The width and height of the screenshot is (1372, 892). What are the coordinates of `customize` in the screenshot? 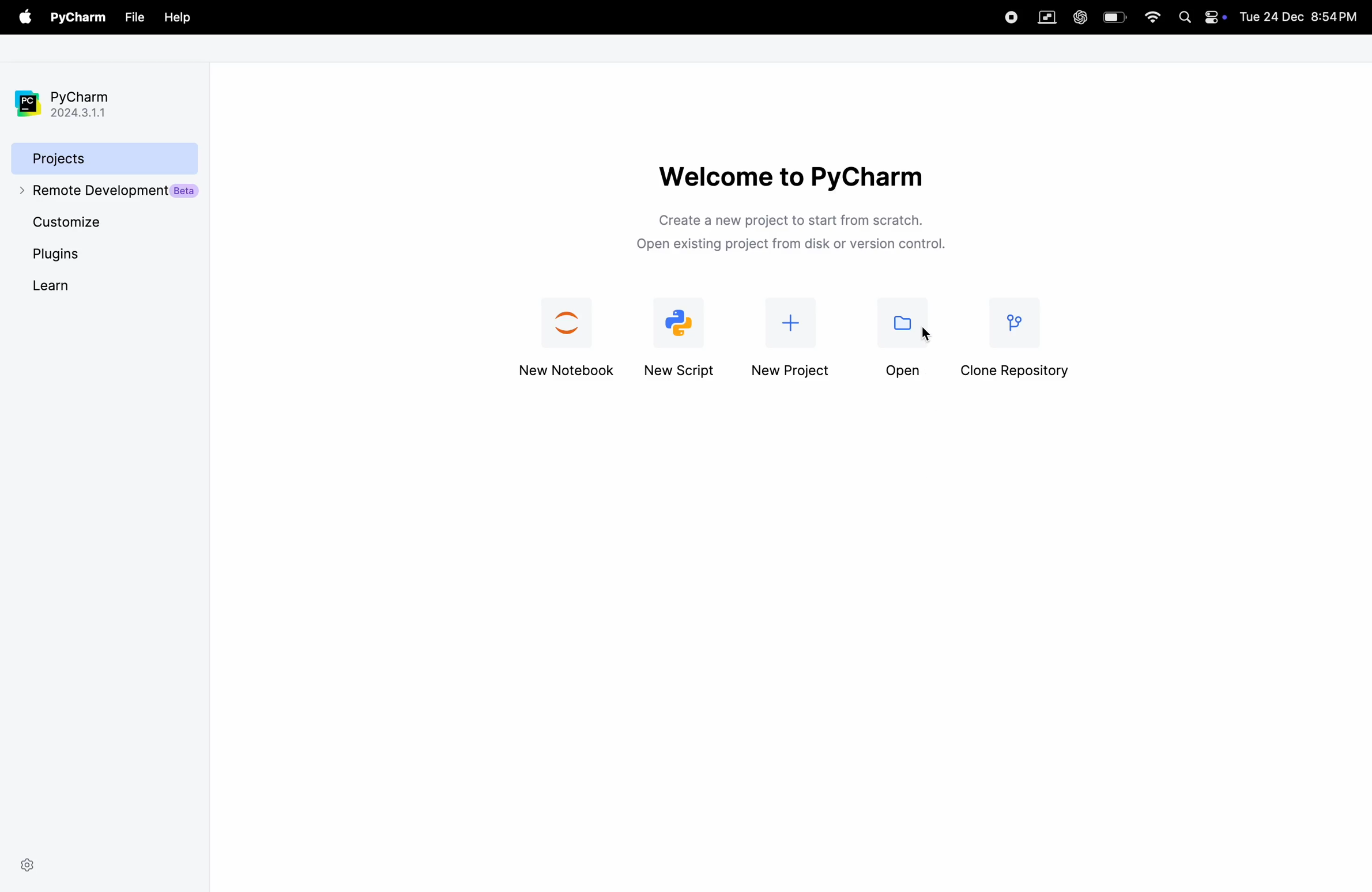 It's located at (105, 224).